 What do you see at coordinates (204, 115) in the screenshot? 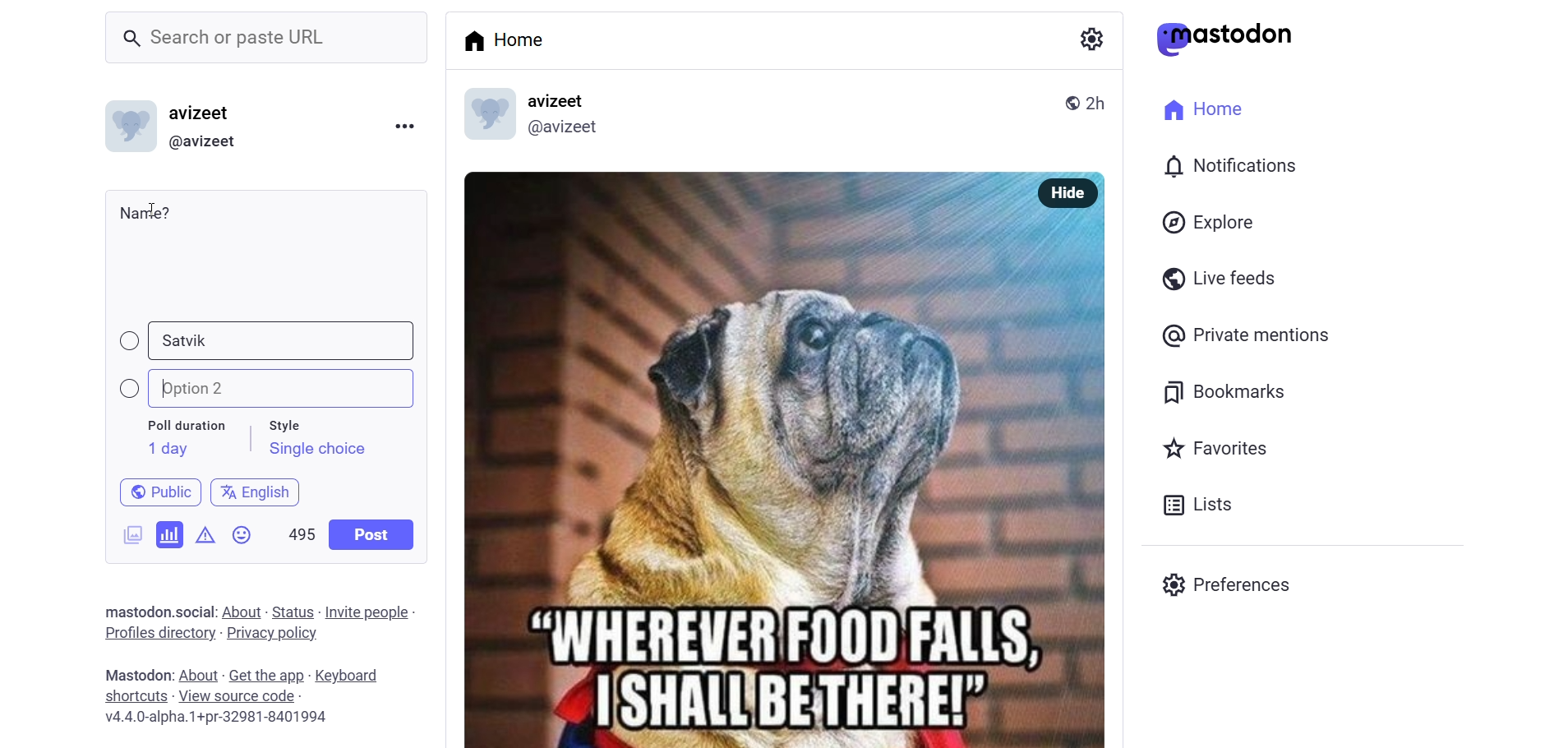
I see `avizeet` at bounding box center [204, 115].